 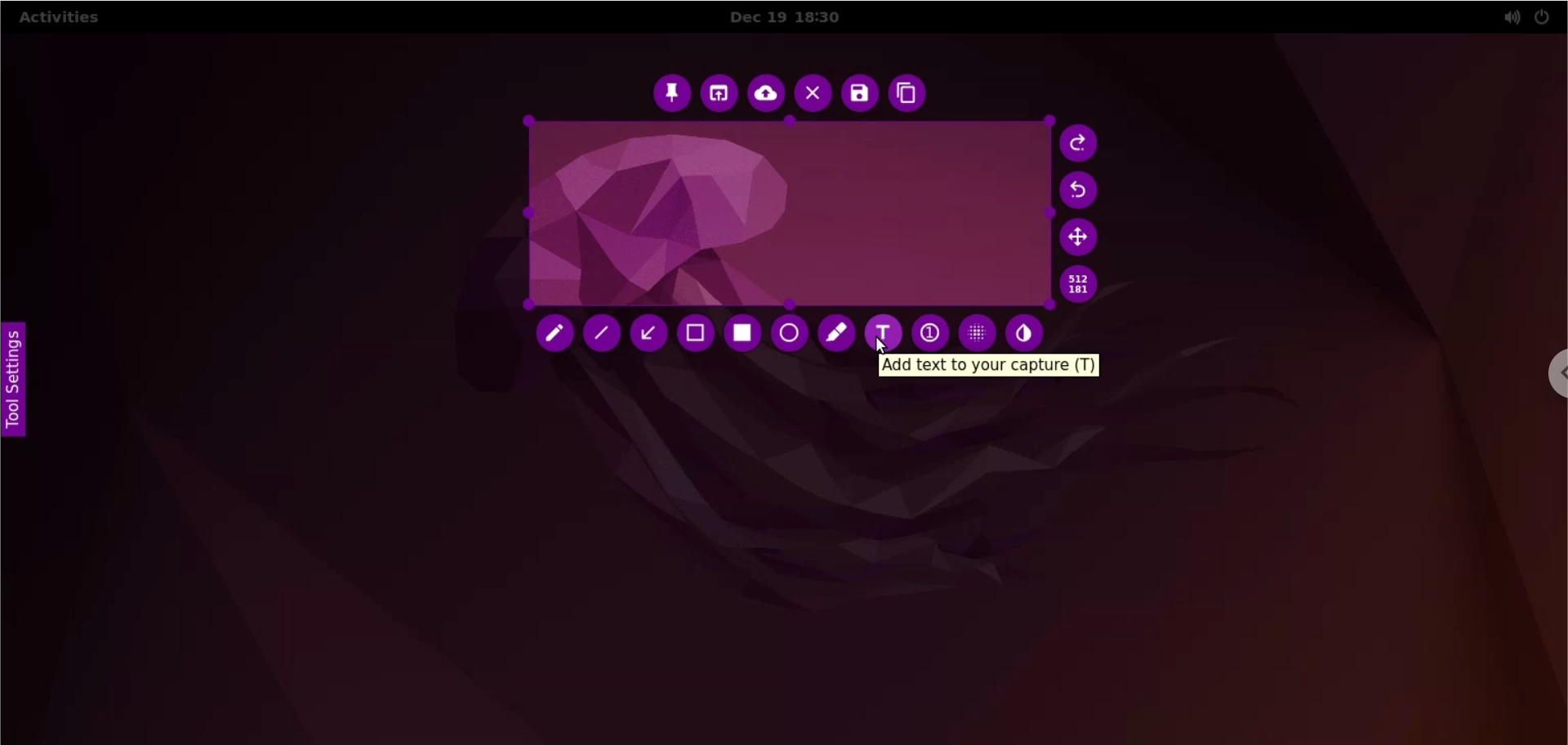 What do you see at coordinates (1085, 190) in the screenshot?
I see `undo` at bounding box center [1085, 190].